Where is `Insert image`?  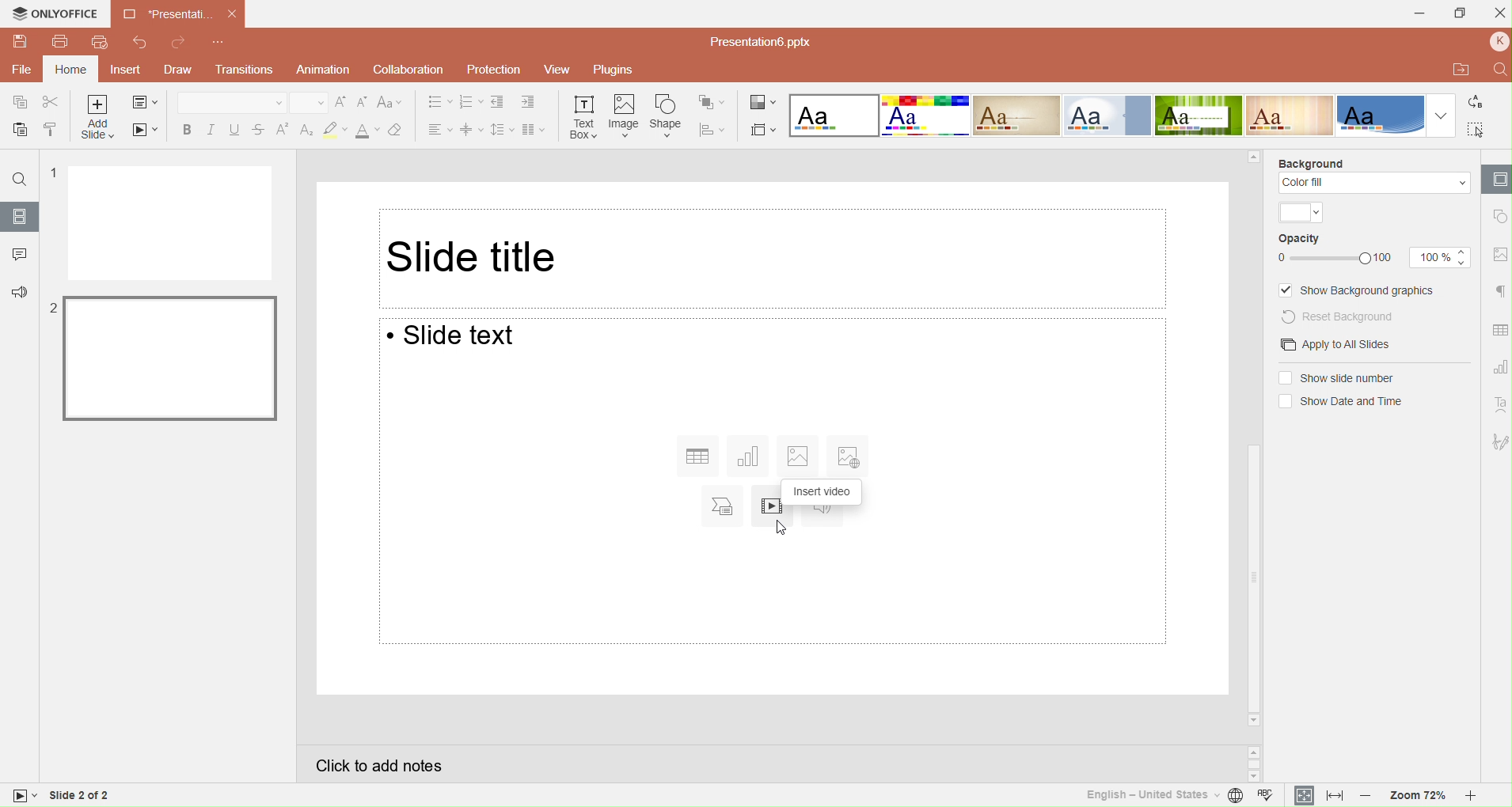 Insert image is located at coordinates (621, 116).